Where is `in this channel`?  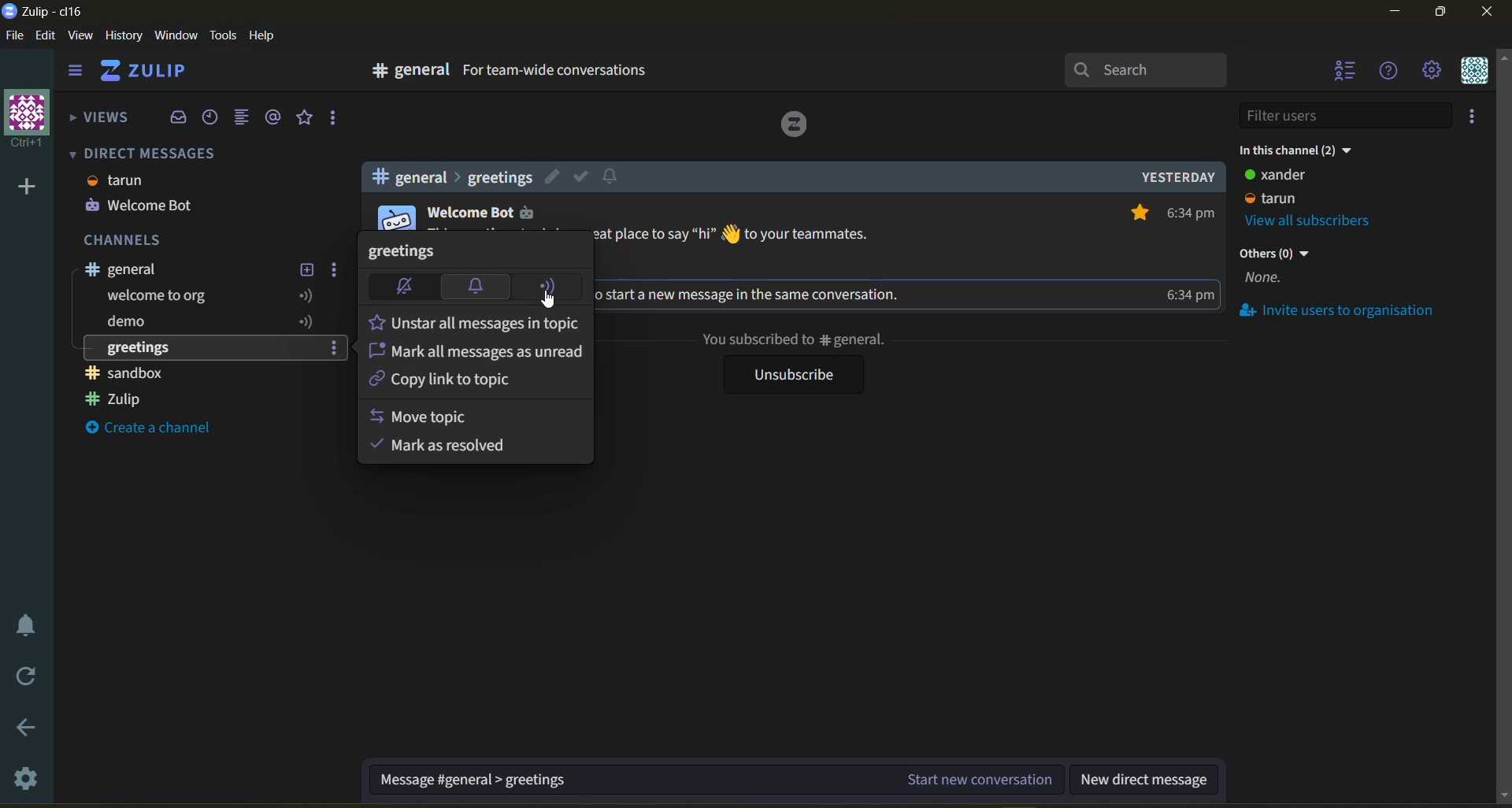 in this channel is located at coordinates (1300, 153).